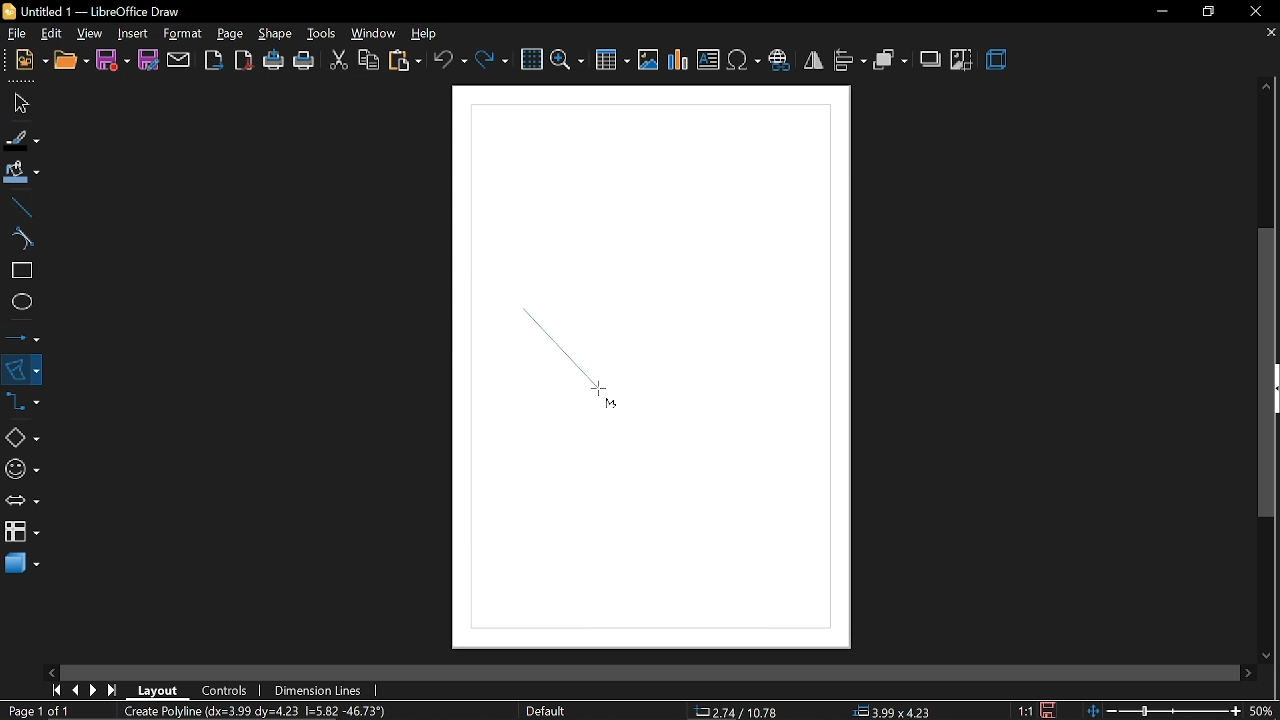 The height and width of the screenshot is (720, 1280). I want to click on flip, so click(814, 61).